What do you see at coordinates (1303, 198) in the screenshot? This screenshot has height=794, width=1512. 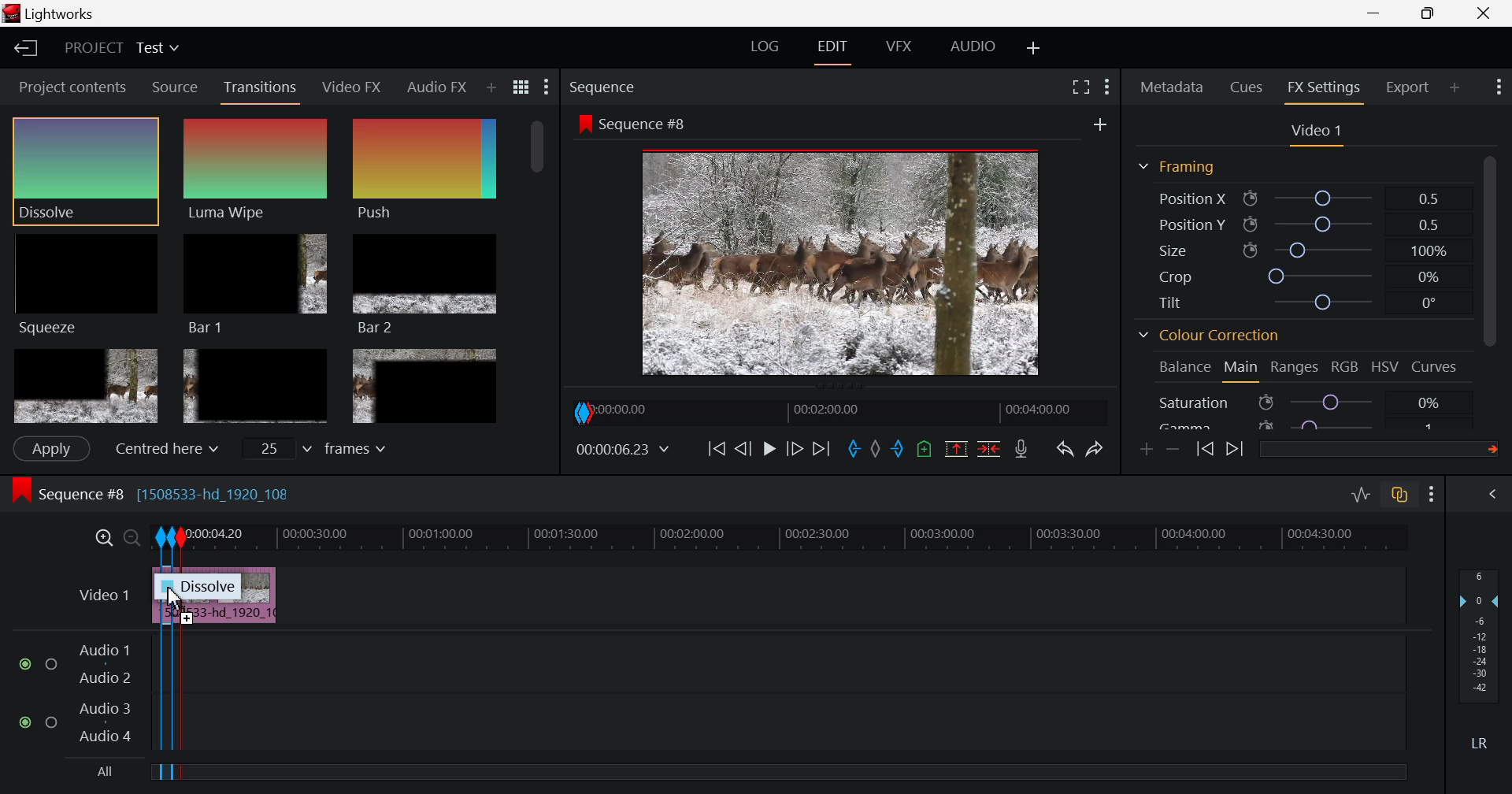 I see `Position X` at bounding box center [1303, 198].